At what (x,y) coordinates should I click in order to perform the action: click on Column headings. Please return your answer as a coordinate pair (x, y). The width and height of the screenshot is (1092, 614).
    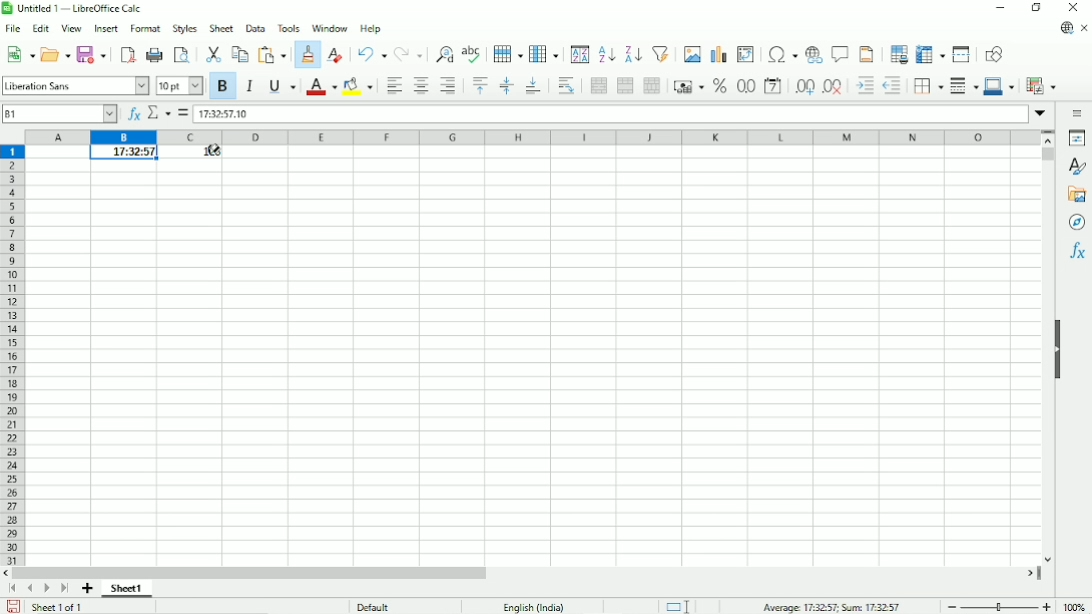
    Looking at the image, I should click on (534, 137).